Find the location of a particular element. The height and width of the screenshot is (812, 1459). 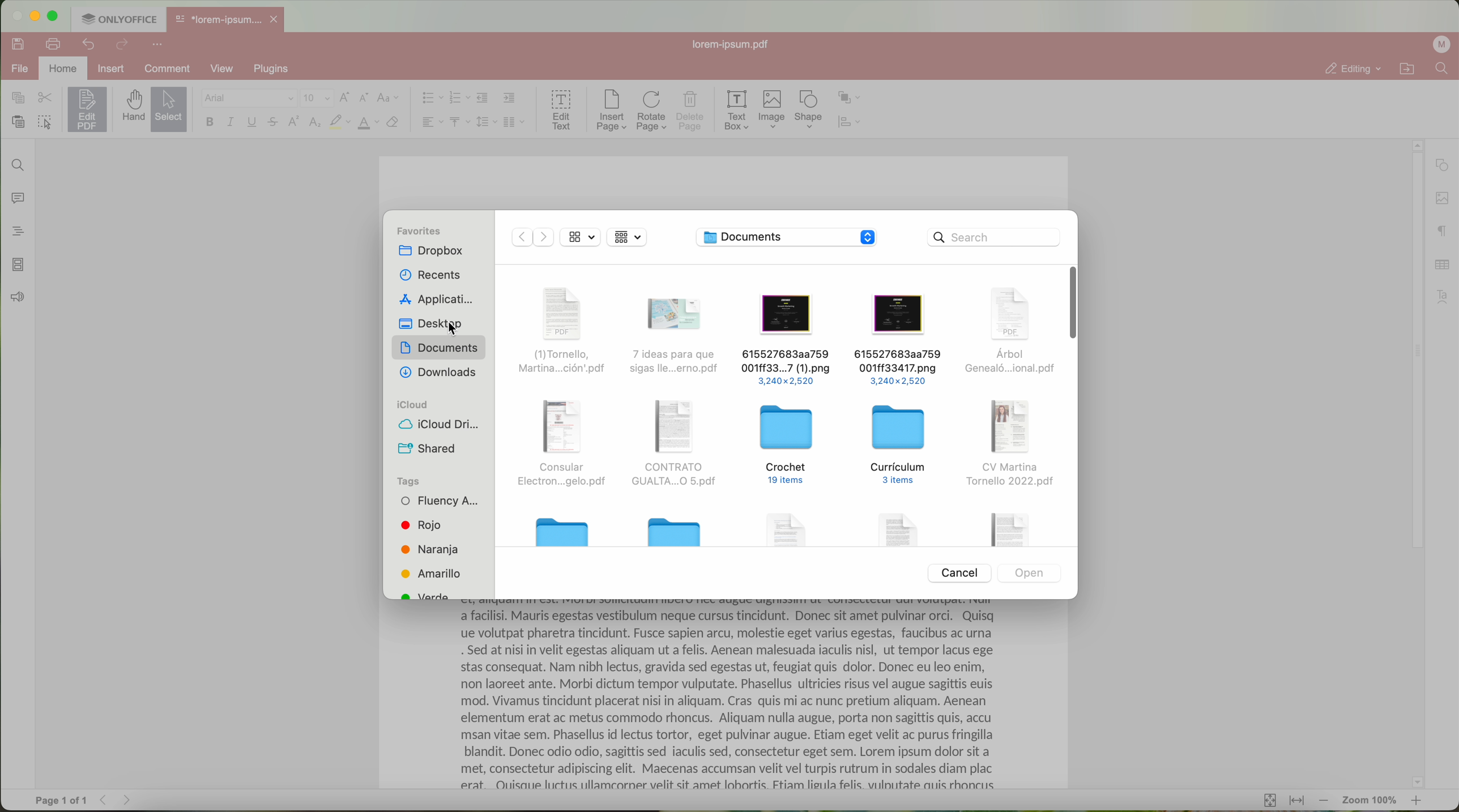

select all is located at coordinates (45, 123).